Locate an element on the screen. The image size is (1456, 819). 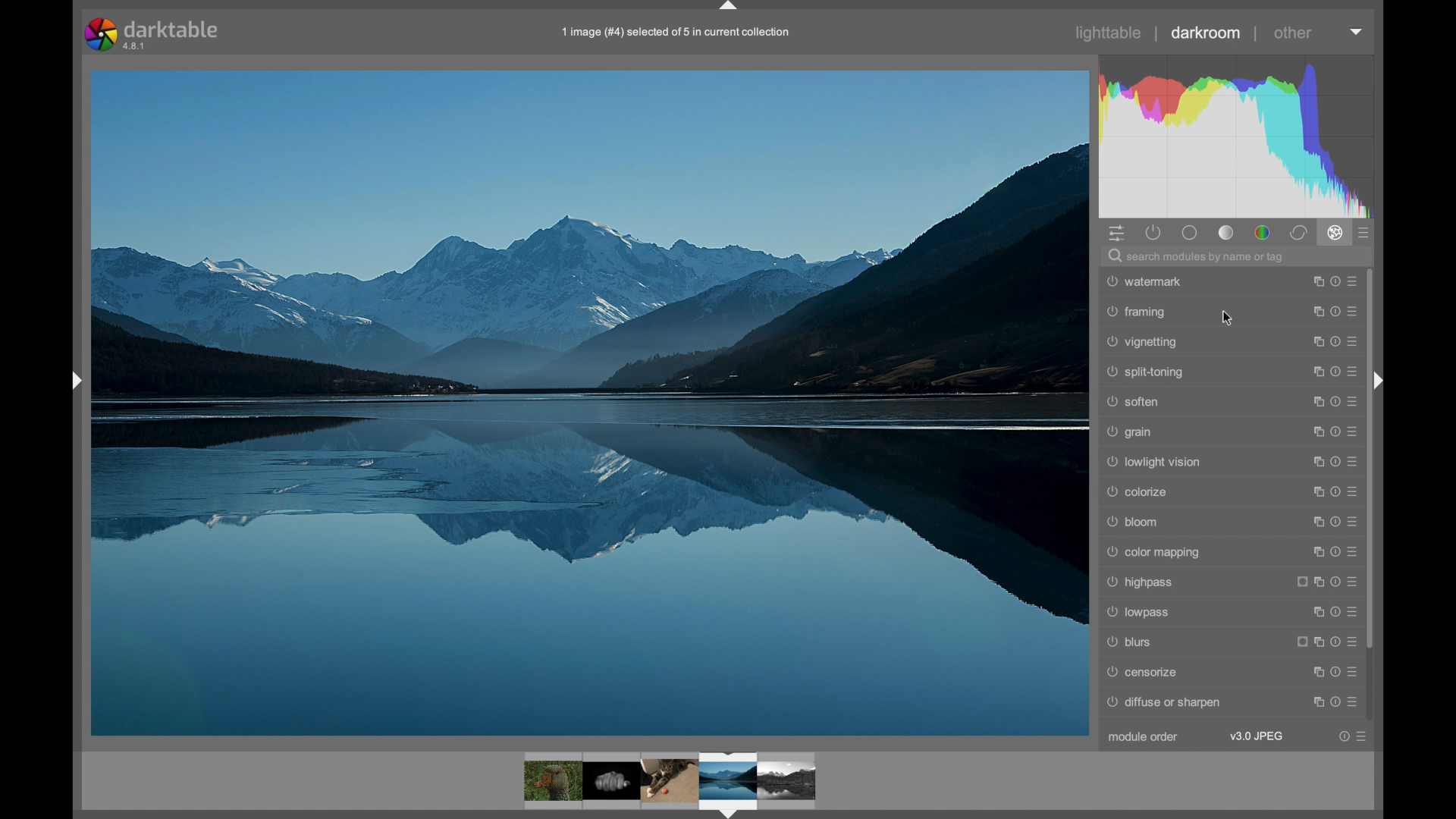
color is located at coordinates (1263, 233).